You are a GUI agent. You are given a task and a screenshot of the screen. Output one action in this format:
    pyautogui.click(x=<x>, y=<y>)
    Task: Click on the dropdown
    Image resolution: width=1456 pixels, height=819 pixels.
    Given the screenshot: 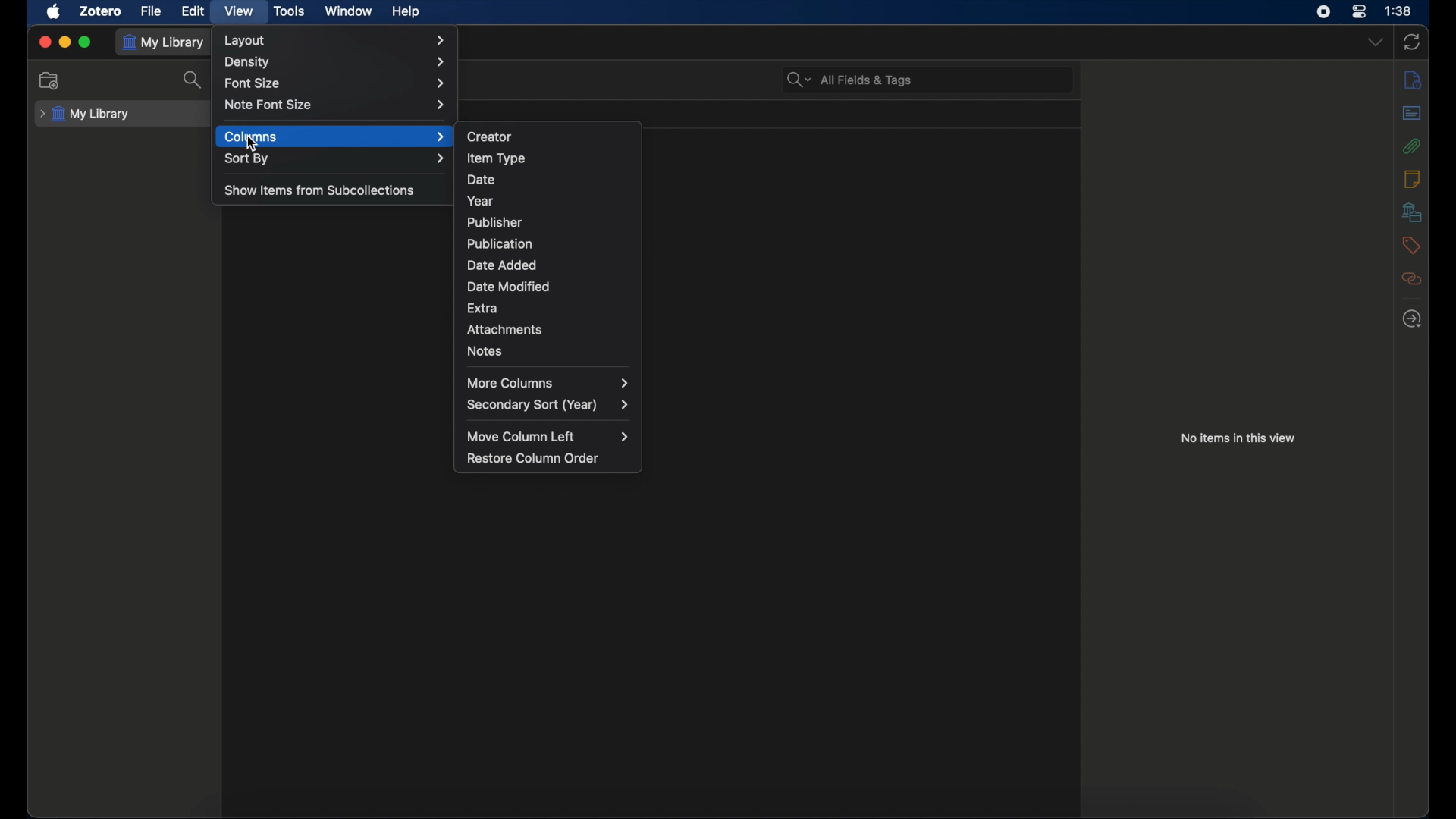 What is the action you would take?
    pyautogui.click(x=1375, y=43)
    